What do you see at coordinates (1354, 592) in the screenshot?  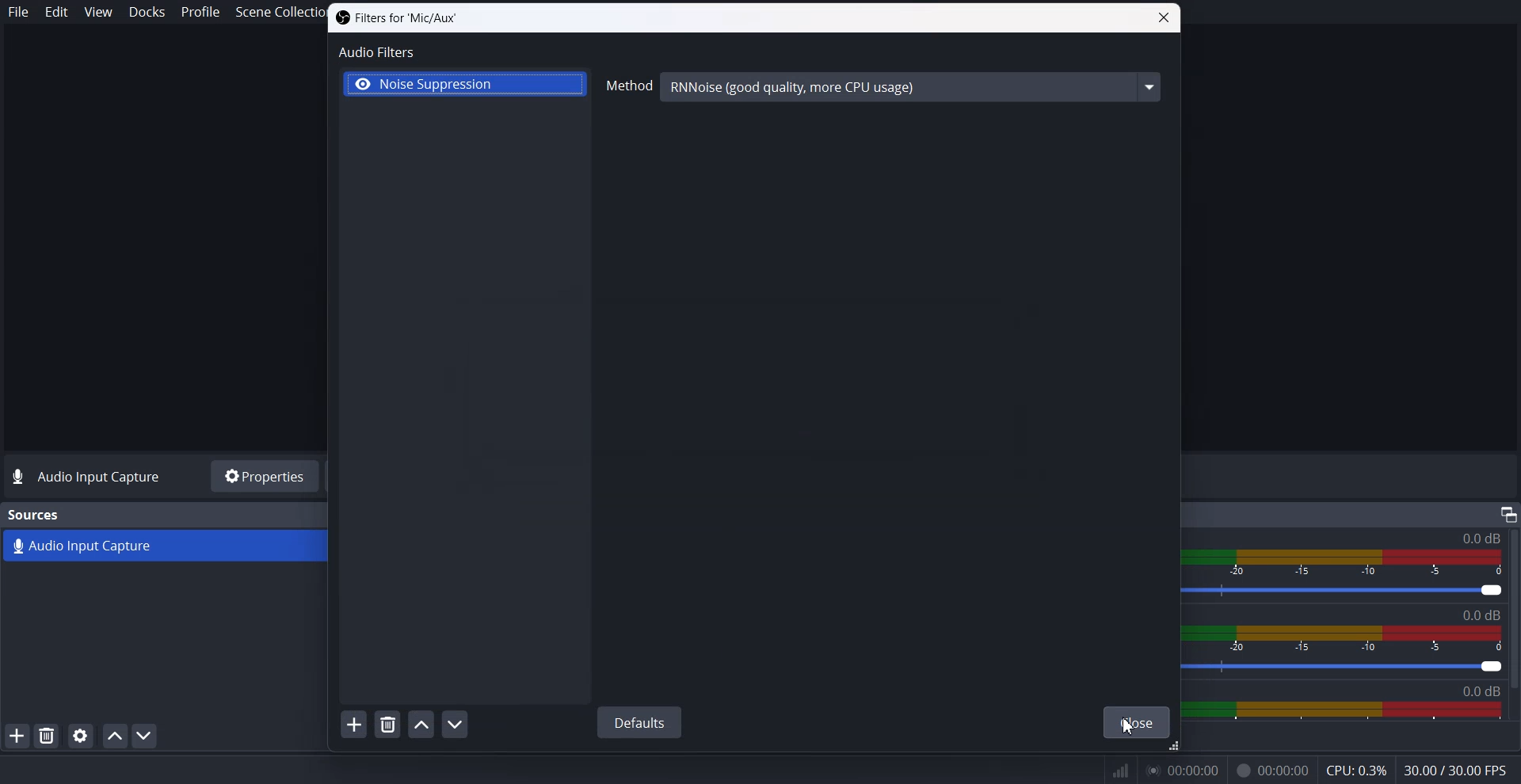 I see `Volume level adjuster` at bounding box center [1354, 592].